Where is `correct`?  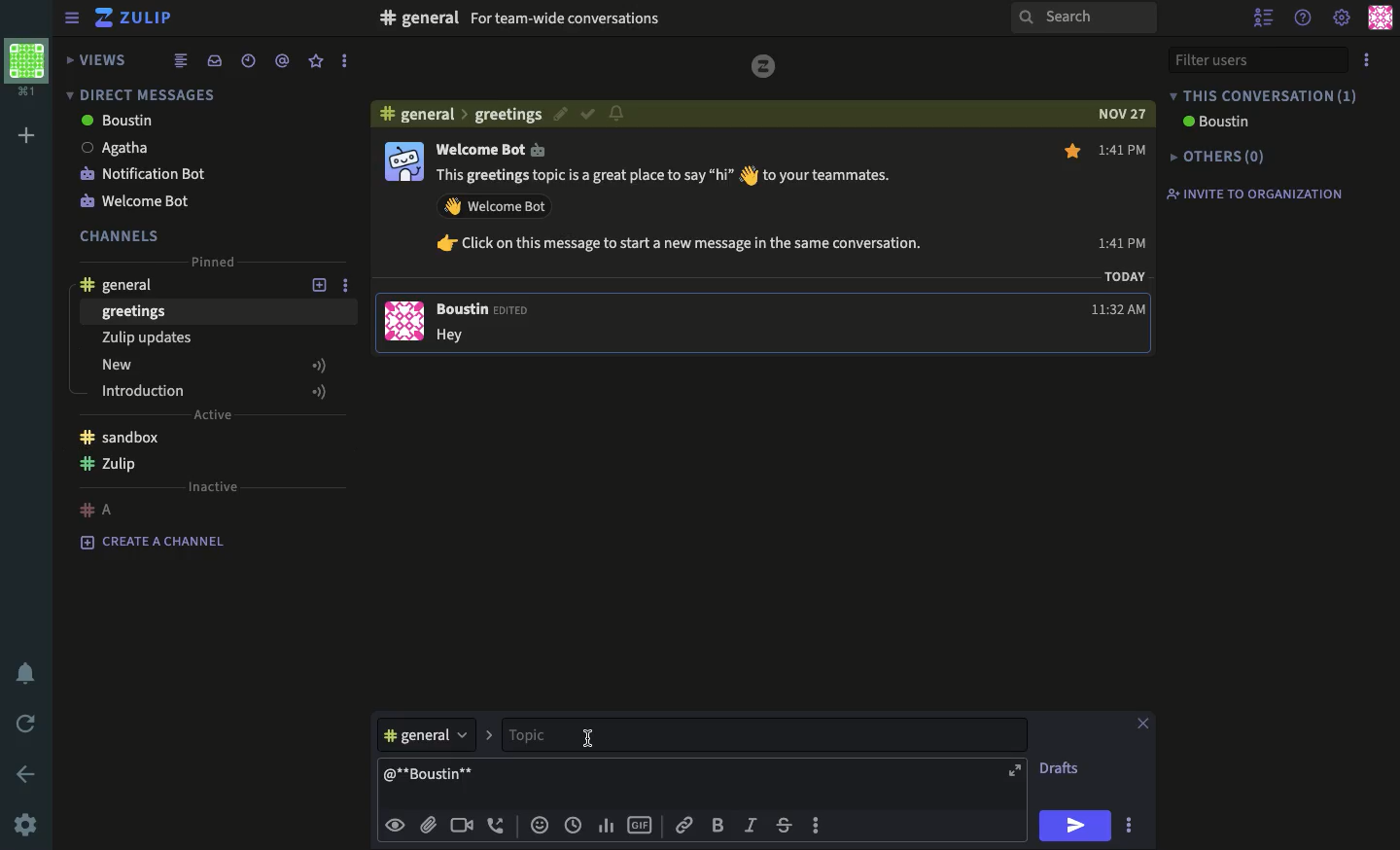 correct is located at coordinates (586, 115).